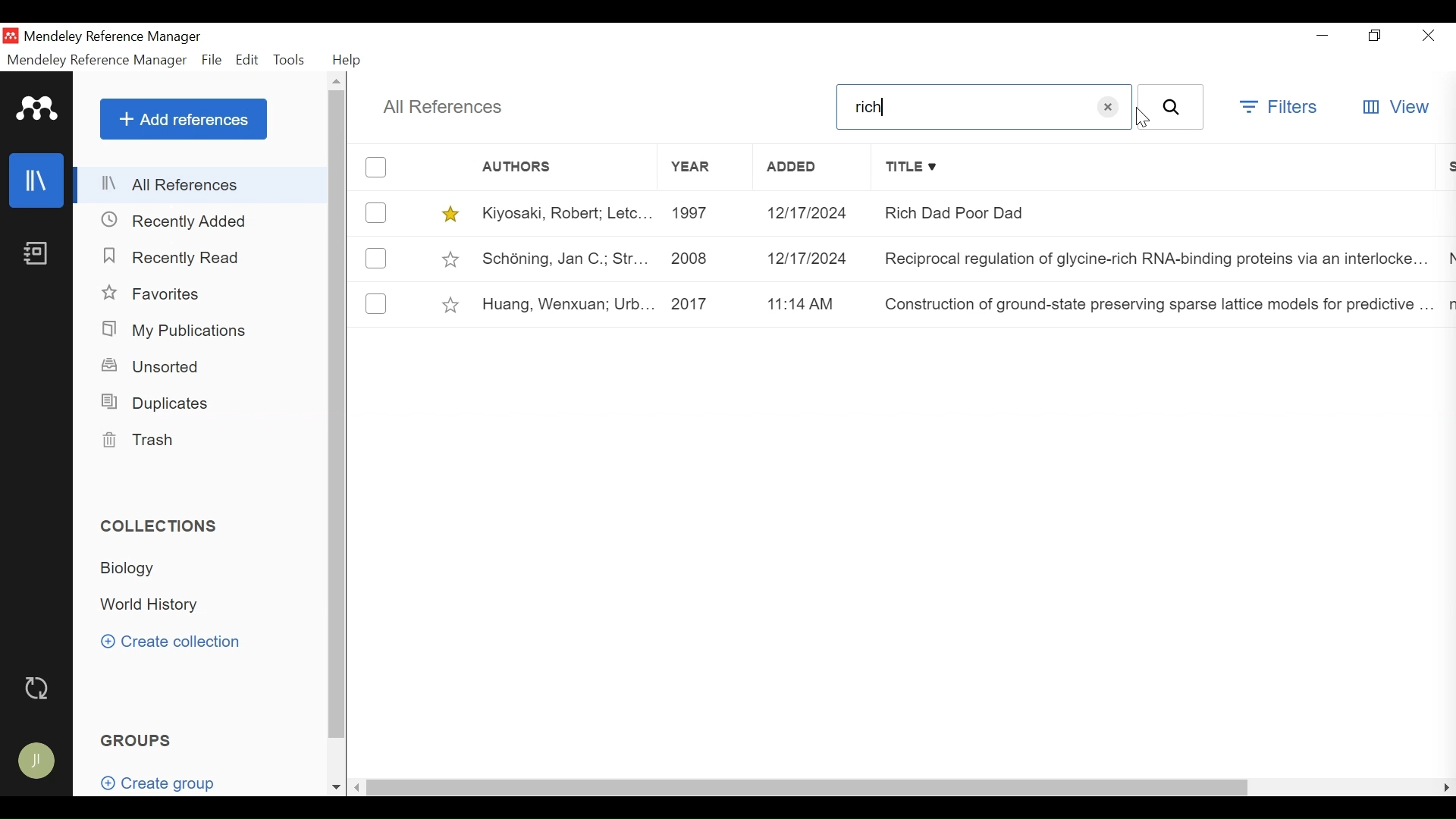 The image size is (1456, 819). Describe the element at coordinates (1140, 120) in the screenshot. I see `Cursor ` at that location.